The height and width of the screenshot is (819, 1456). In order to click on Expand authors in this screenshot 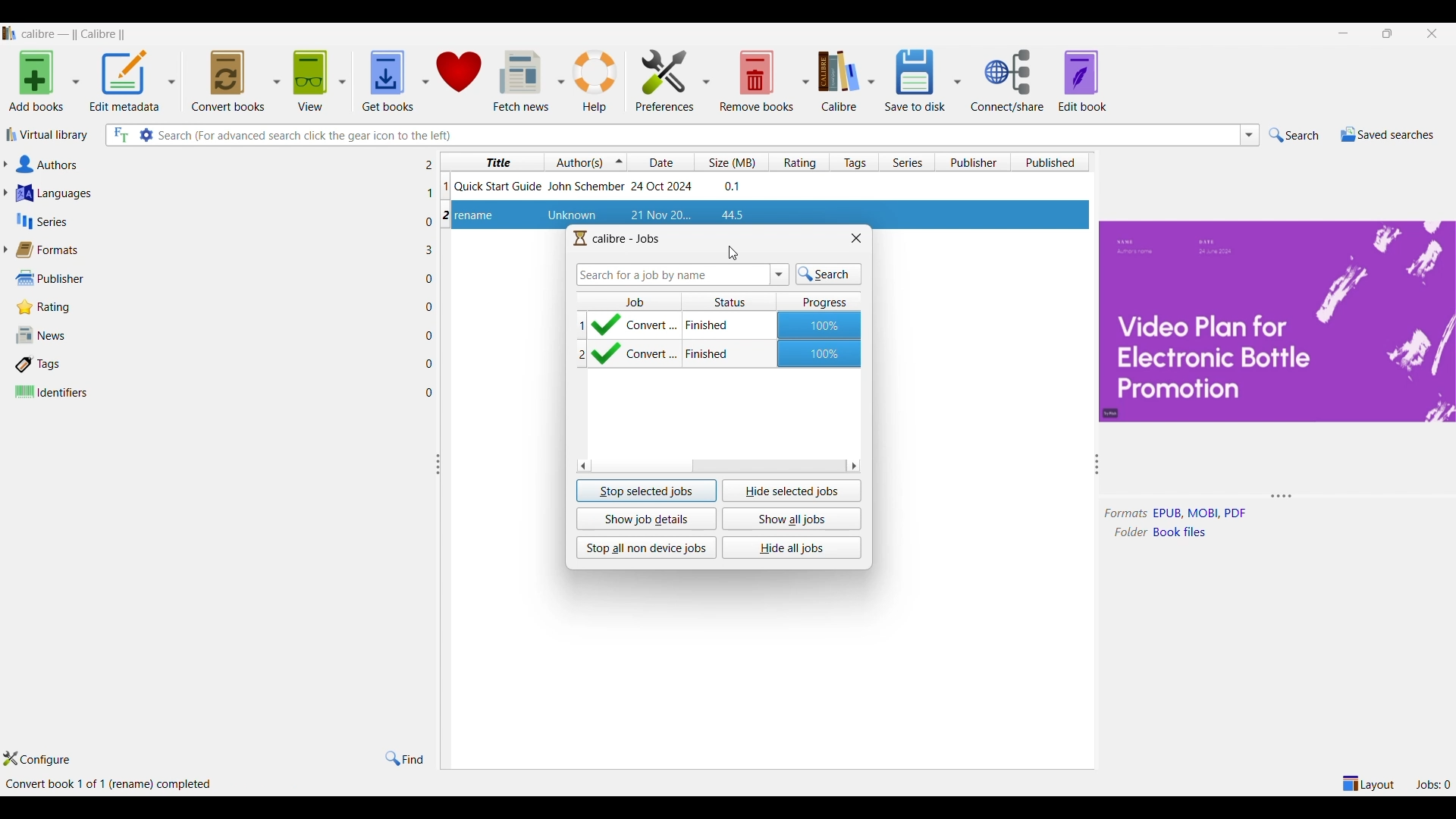, I will do `click(5, 165)`.